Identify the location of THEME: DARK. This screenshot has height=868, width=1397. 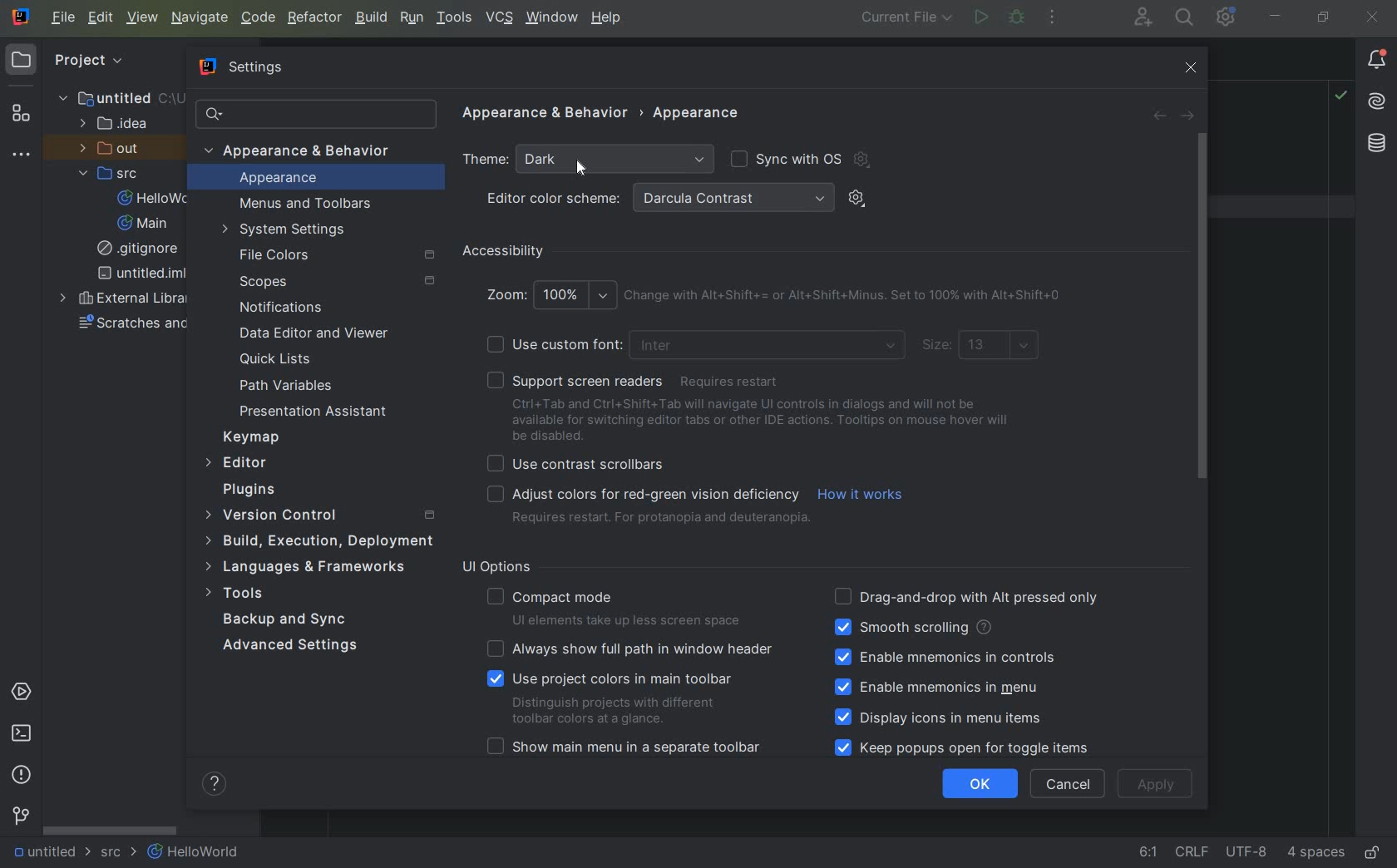
(586, 158).